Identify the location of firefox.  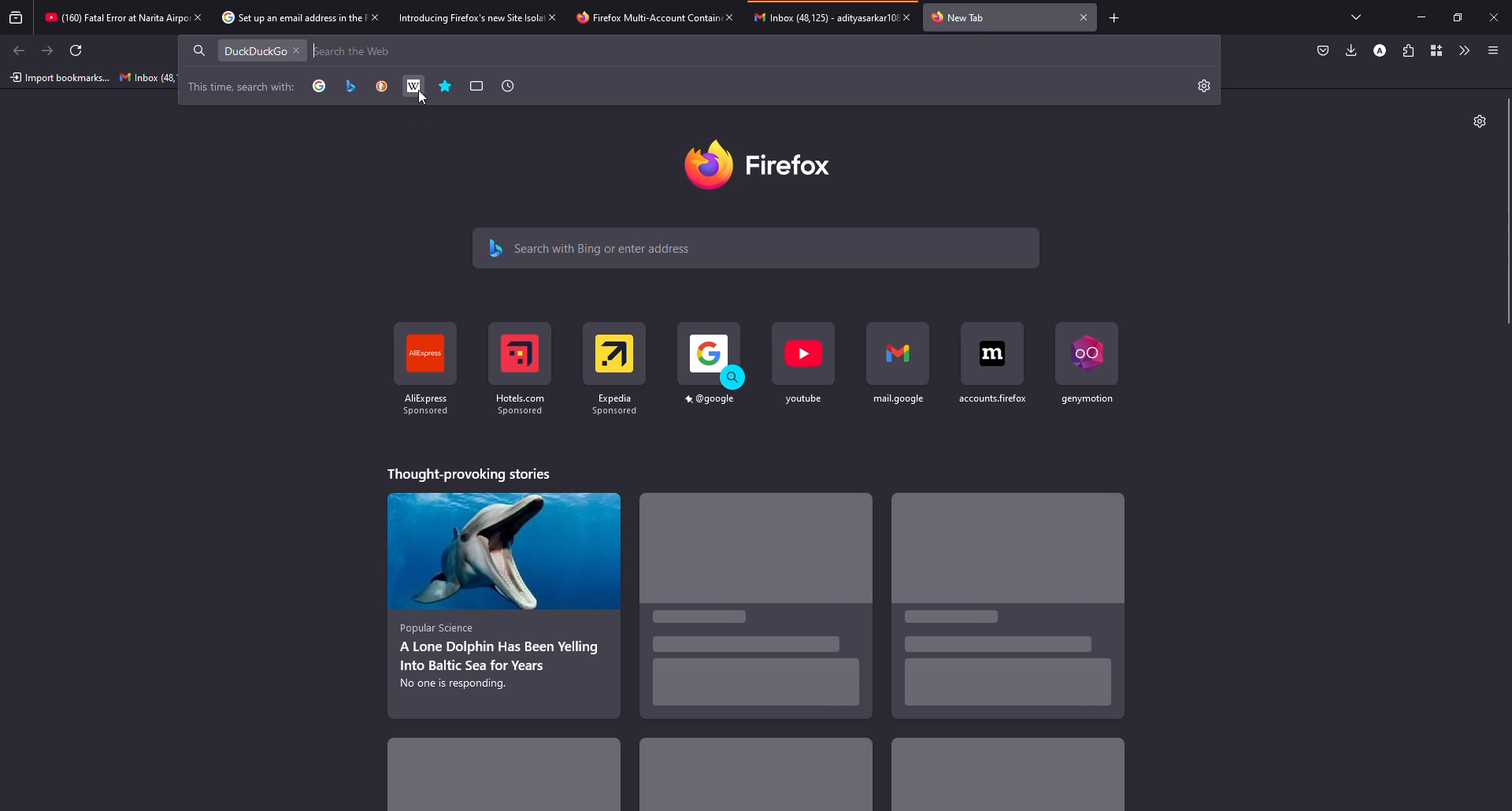
(764, 163).